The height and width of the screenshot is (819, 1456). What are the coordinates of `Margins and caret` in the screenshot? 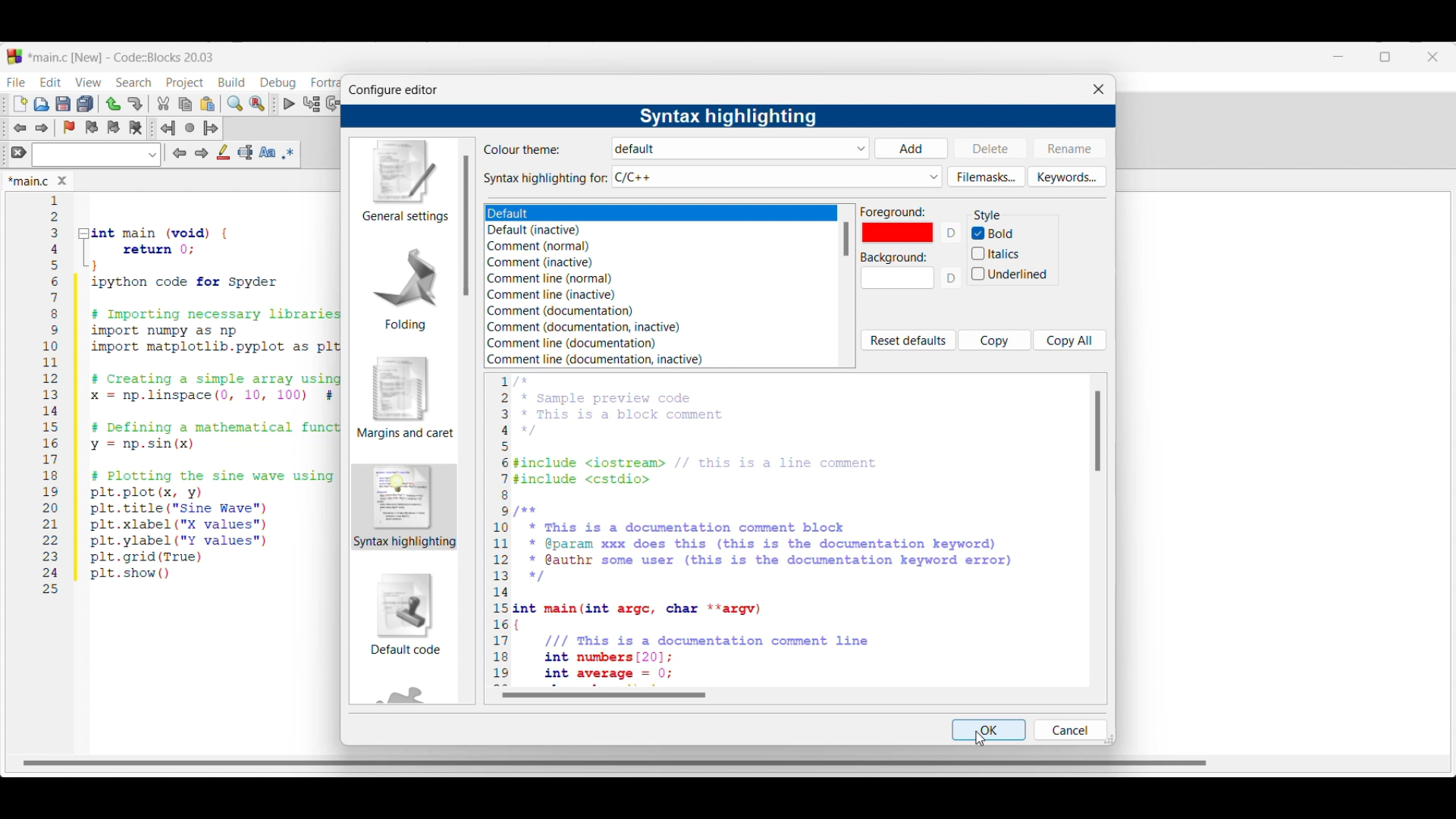 It's located at (406, 397).